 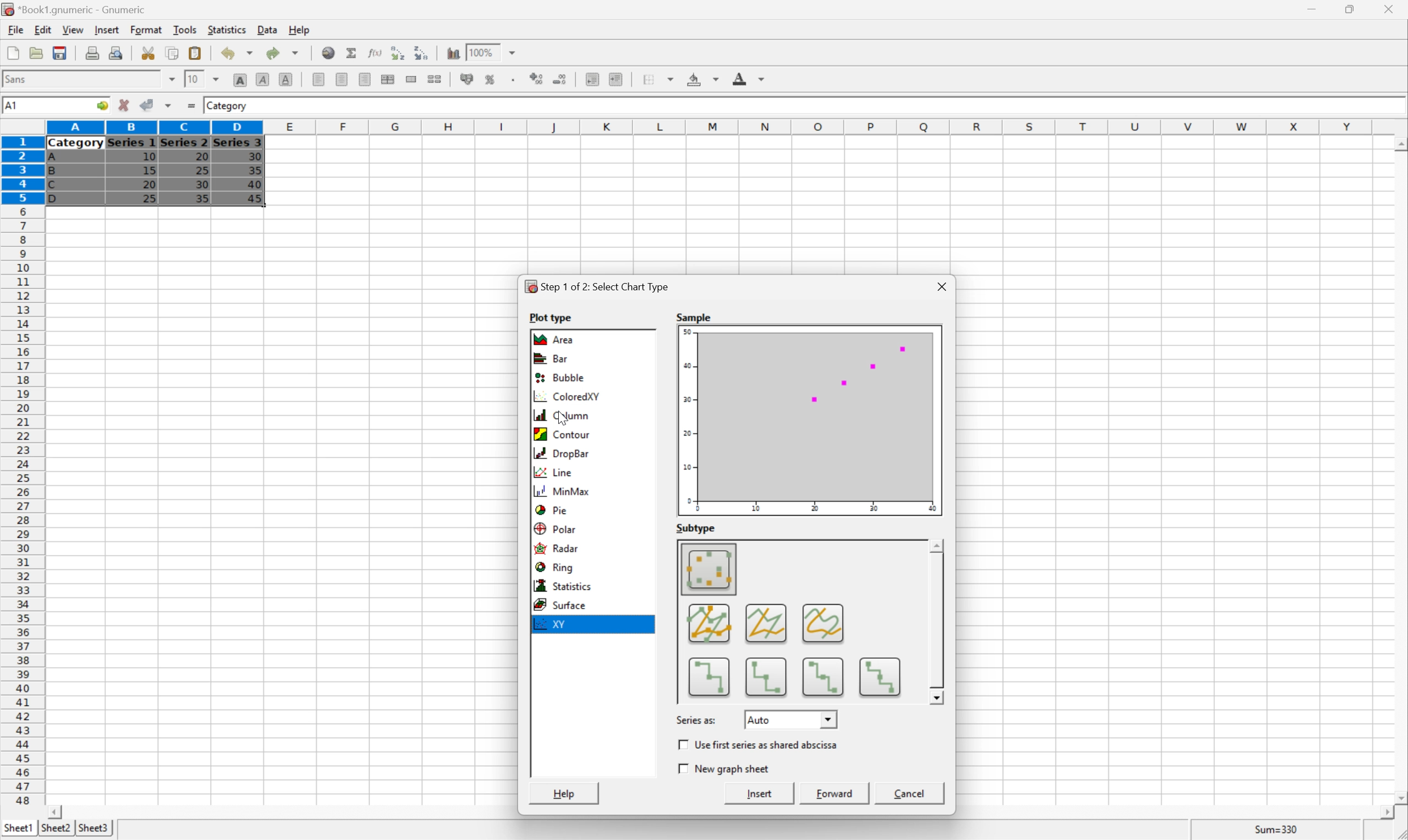 I want to click on Pie, so click(x=552, y=511).